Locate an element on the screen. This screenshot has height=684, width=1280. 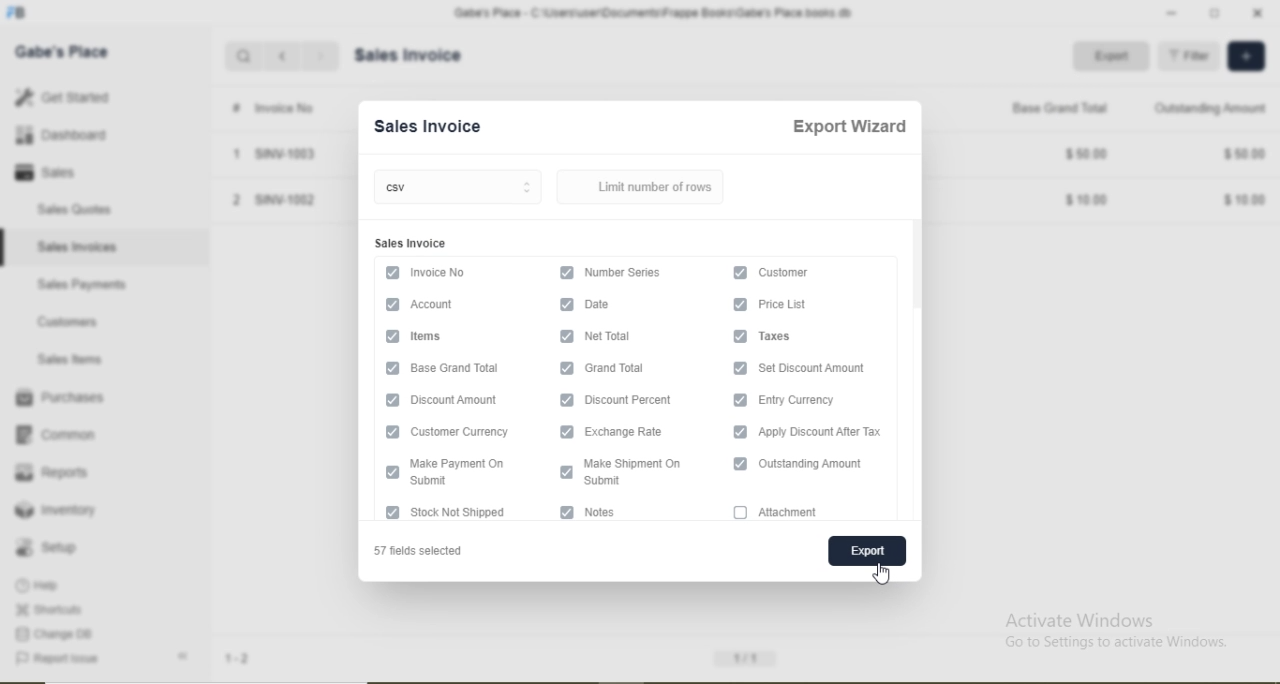
close is located at coordinates (1263, 13).